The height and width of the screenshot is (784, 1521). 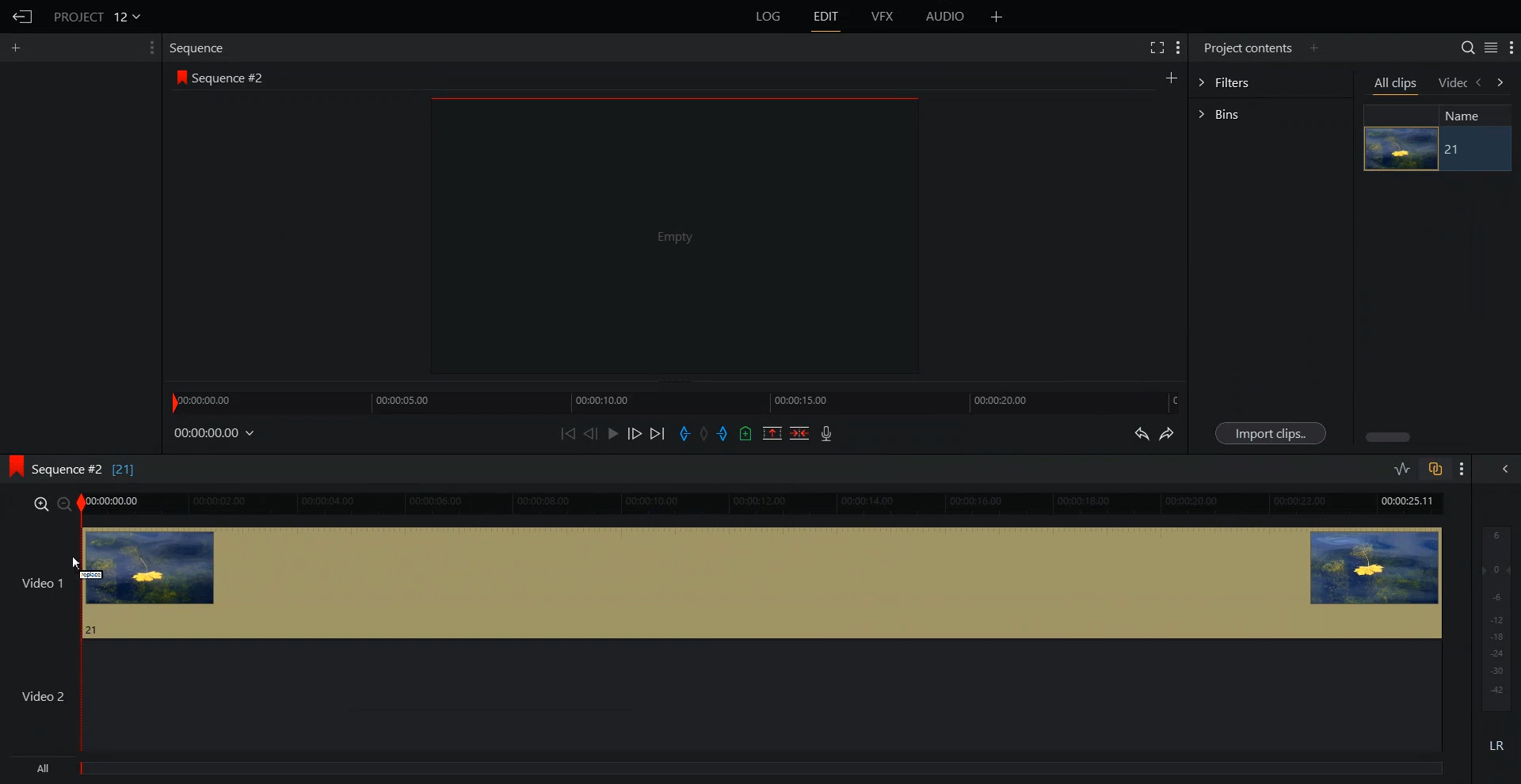 I want to click on Move Forward, so click(x=658, y=433).